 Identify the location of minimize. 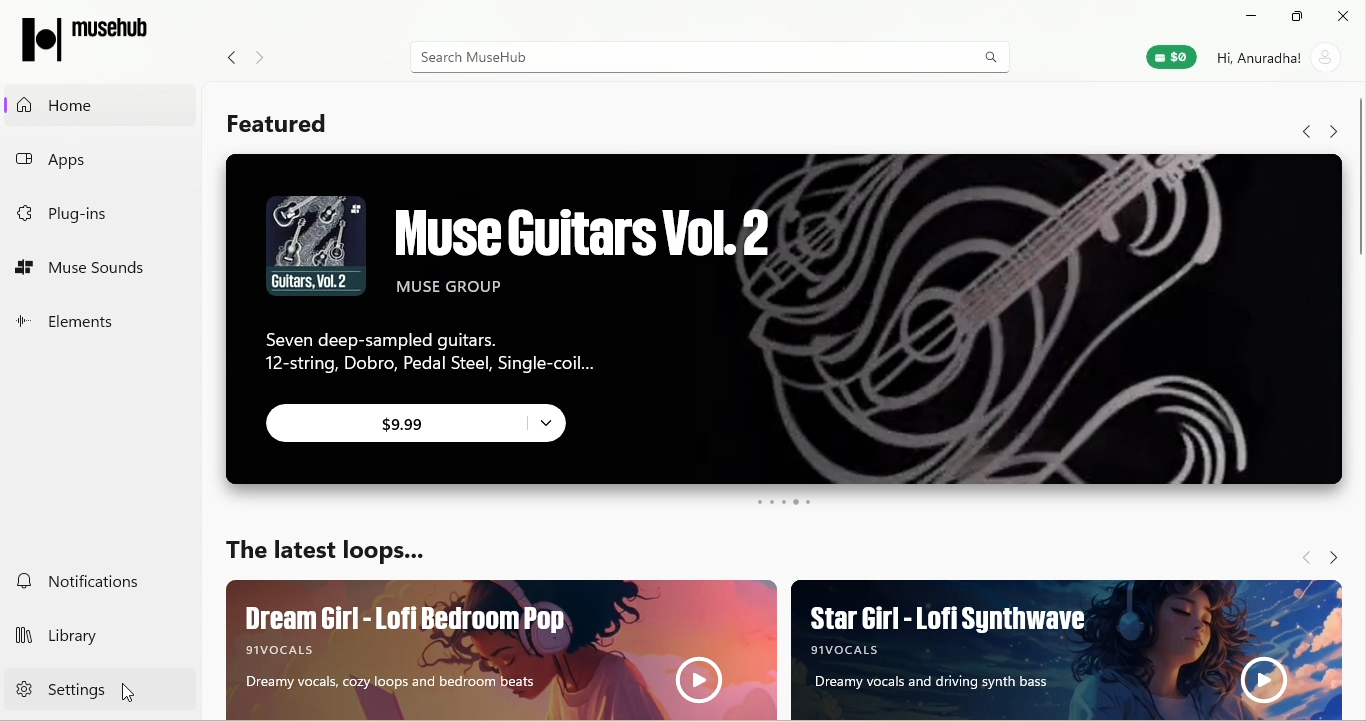
(1250, 15).